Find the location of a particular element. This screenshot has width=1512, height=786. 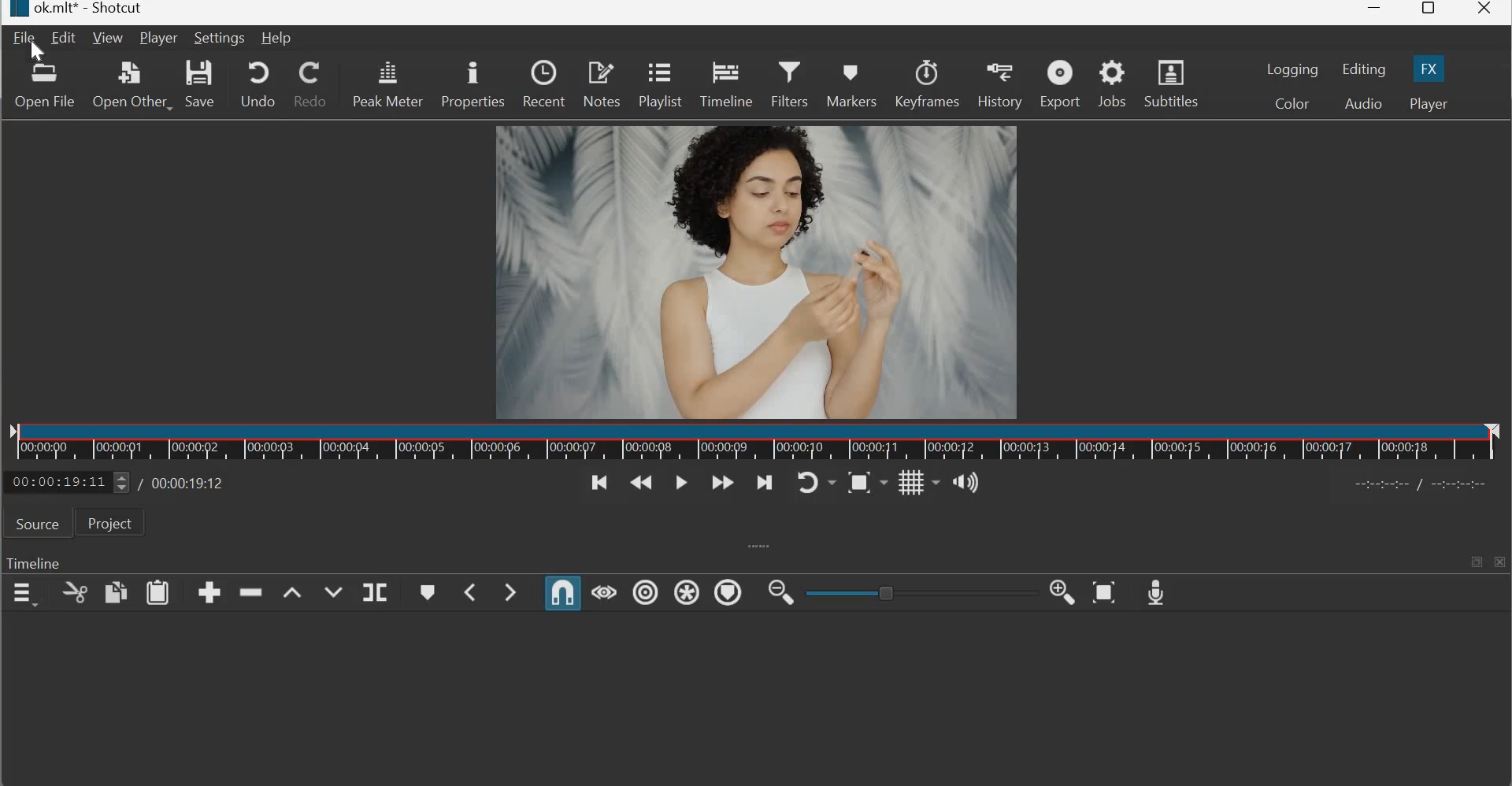

Properties is located at coordinates (473, 84).